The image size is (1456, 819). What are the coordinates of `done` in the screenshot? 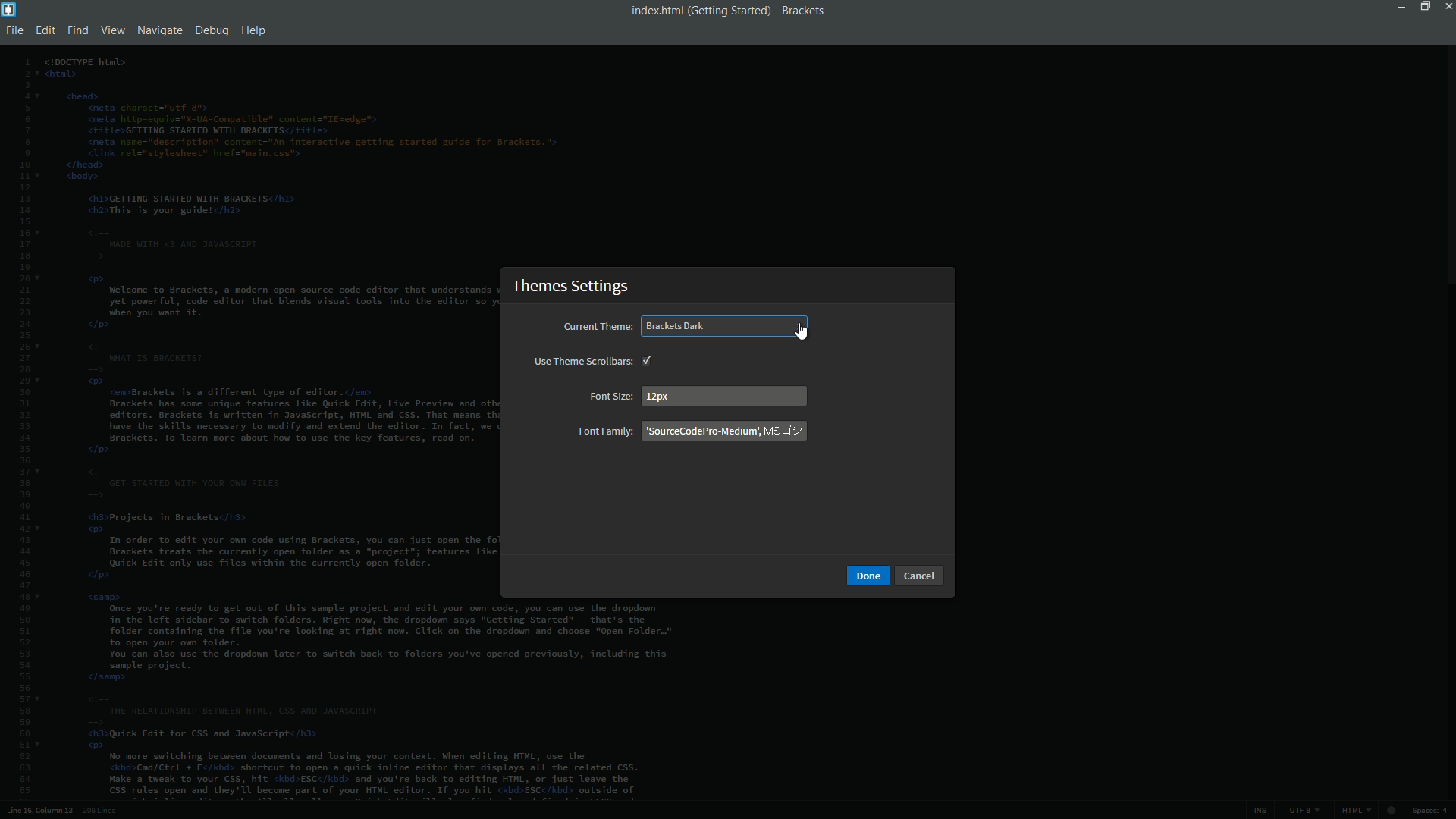 It's located at (869, 576).